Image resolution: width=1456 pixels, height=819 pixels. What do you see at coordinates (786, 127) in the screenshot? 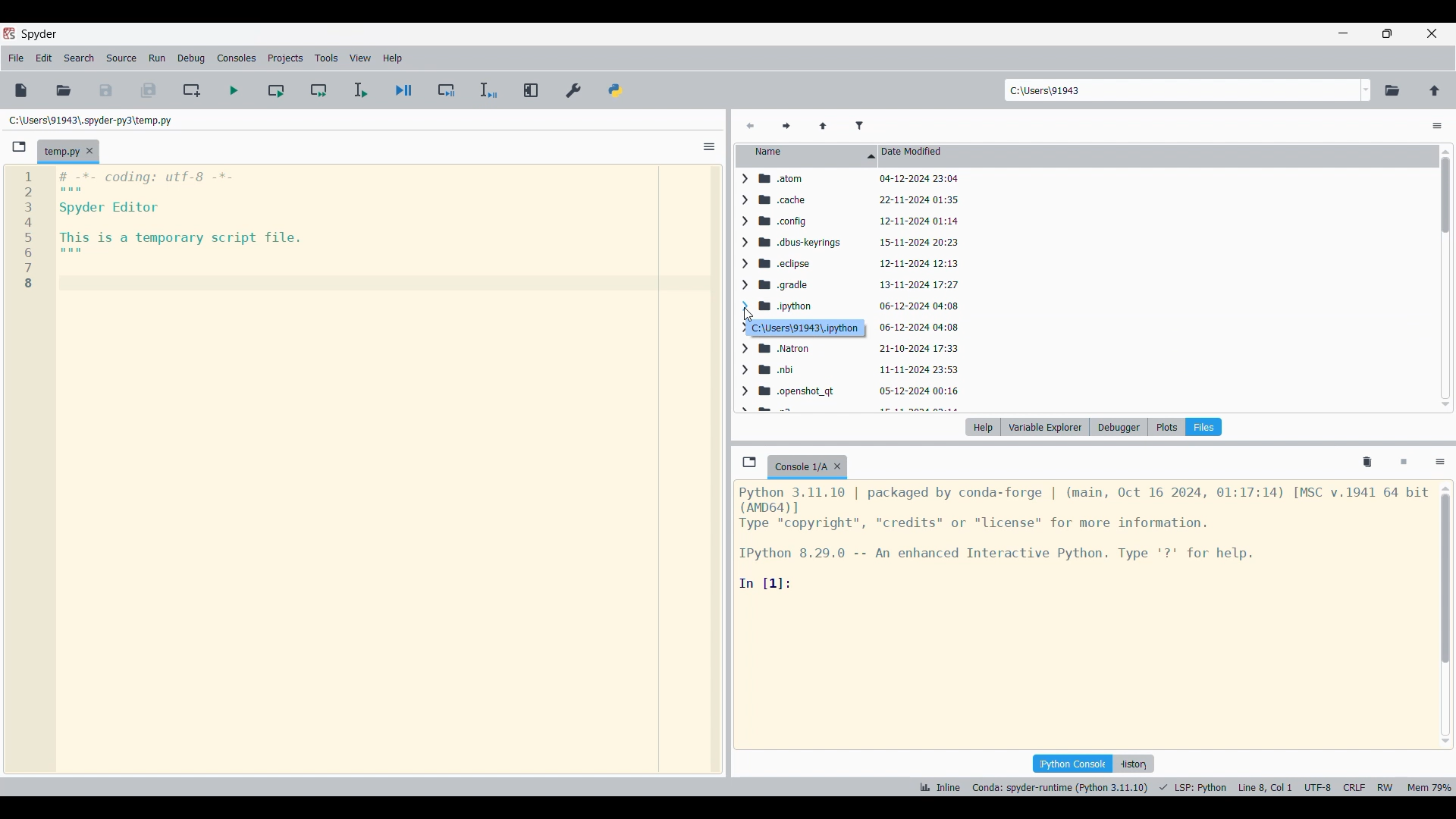
I see `Next` at bounding box center [786, 127].